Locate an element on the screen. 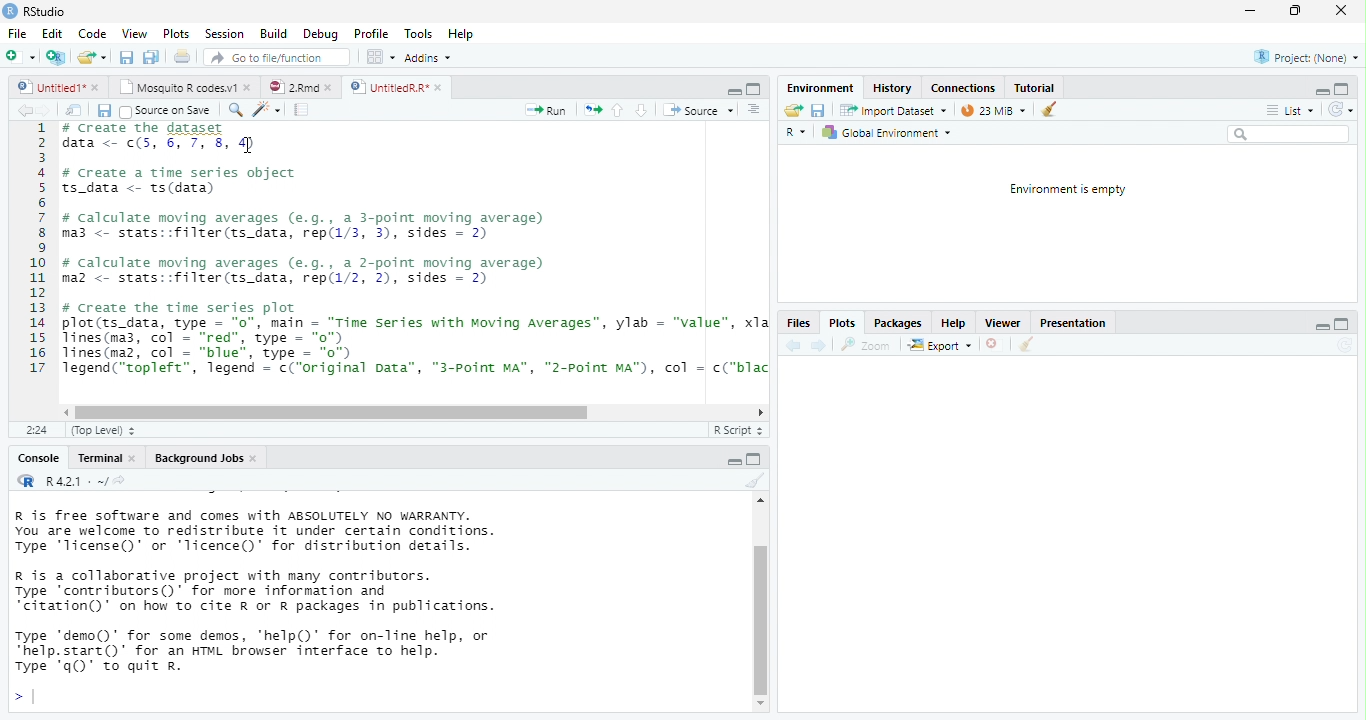 This screenshot has height=720, width=1366. Refresh is located at coordinates (1341, 110).